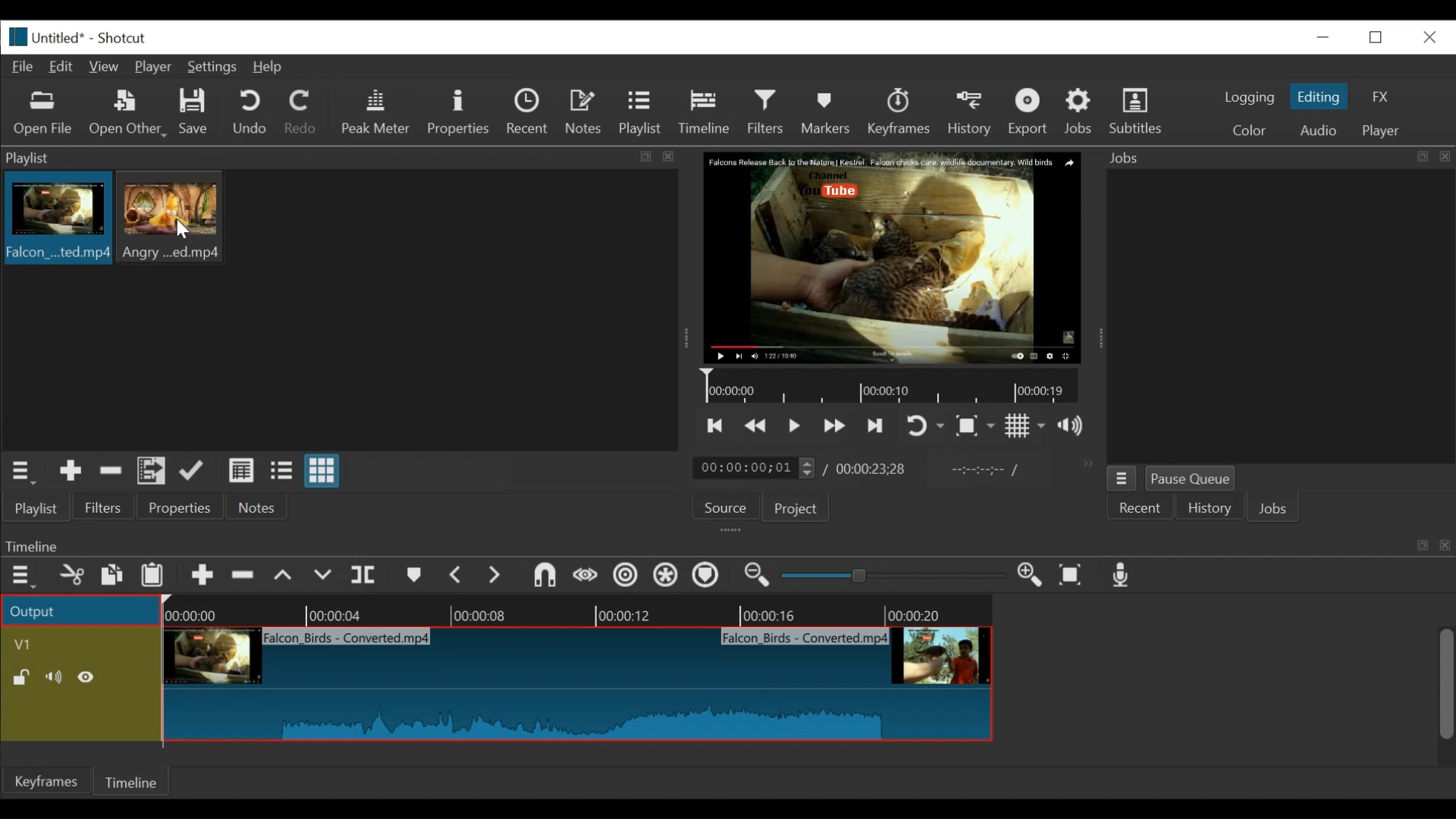 Image resolution: width=1456 pixels, height=819 pixels. Describe the element at coordinates (105, 67) in the screenshot. I see `View` at that location.